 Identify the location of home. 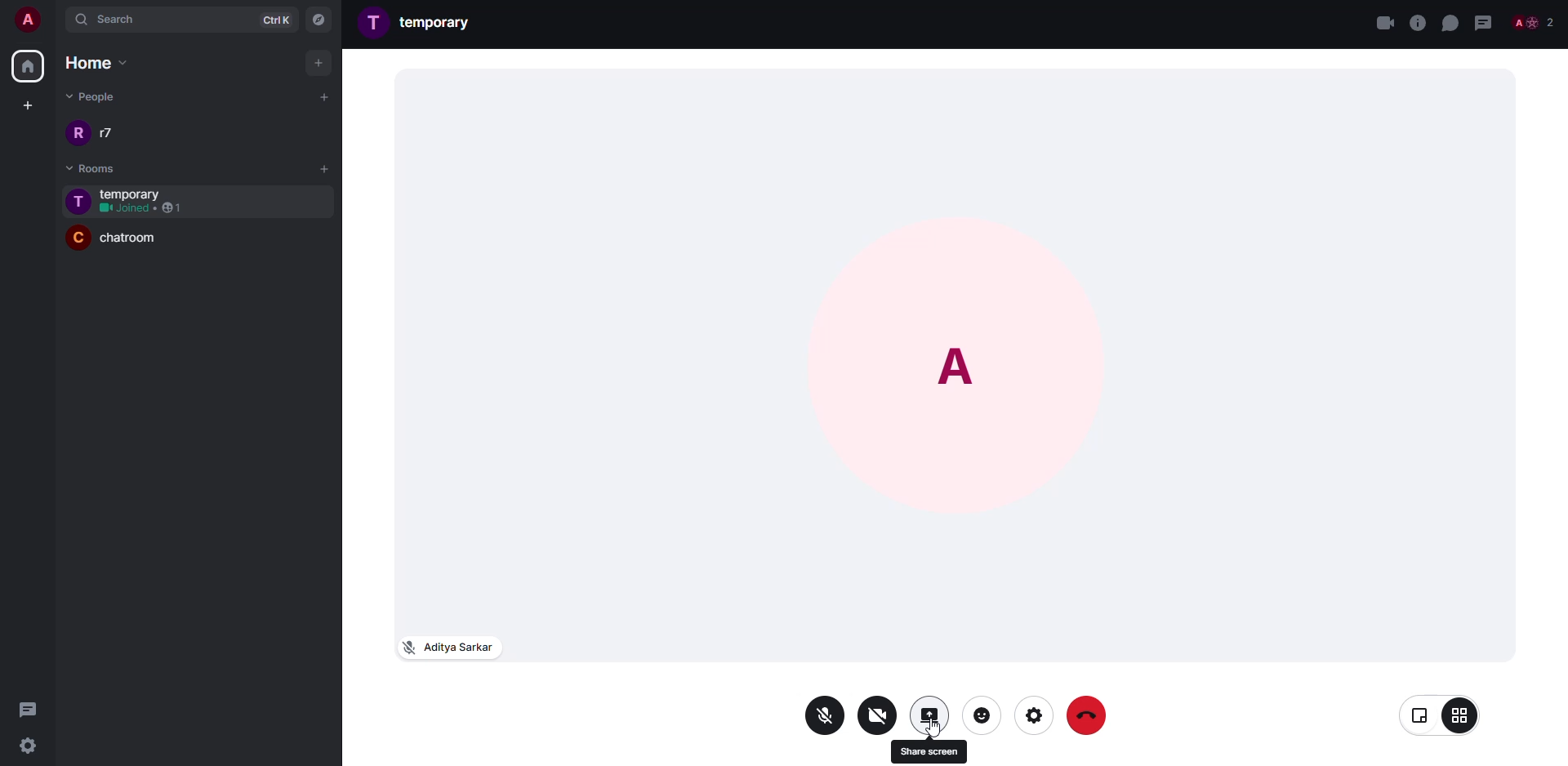
(27, 67).